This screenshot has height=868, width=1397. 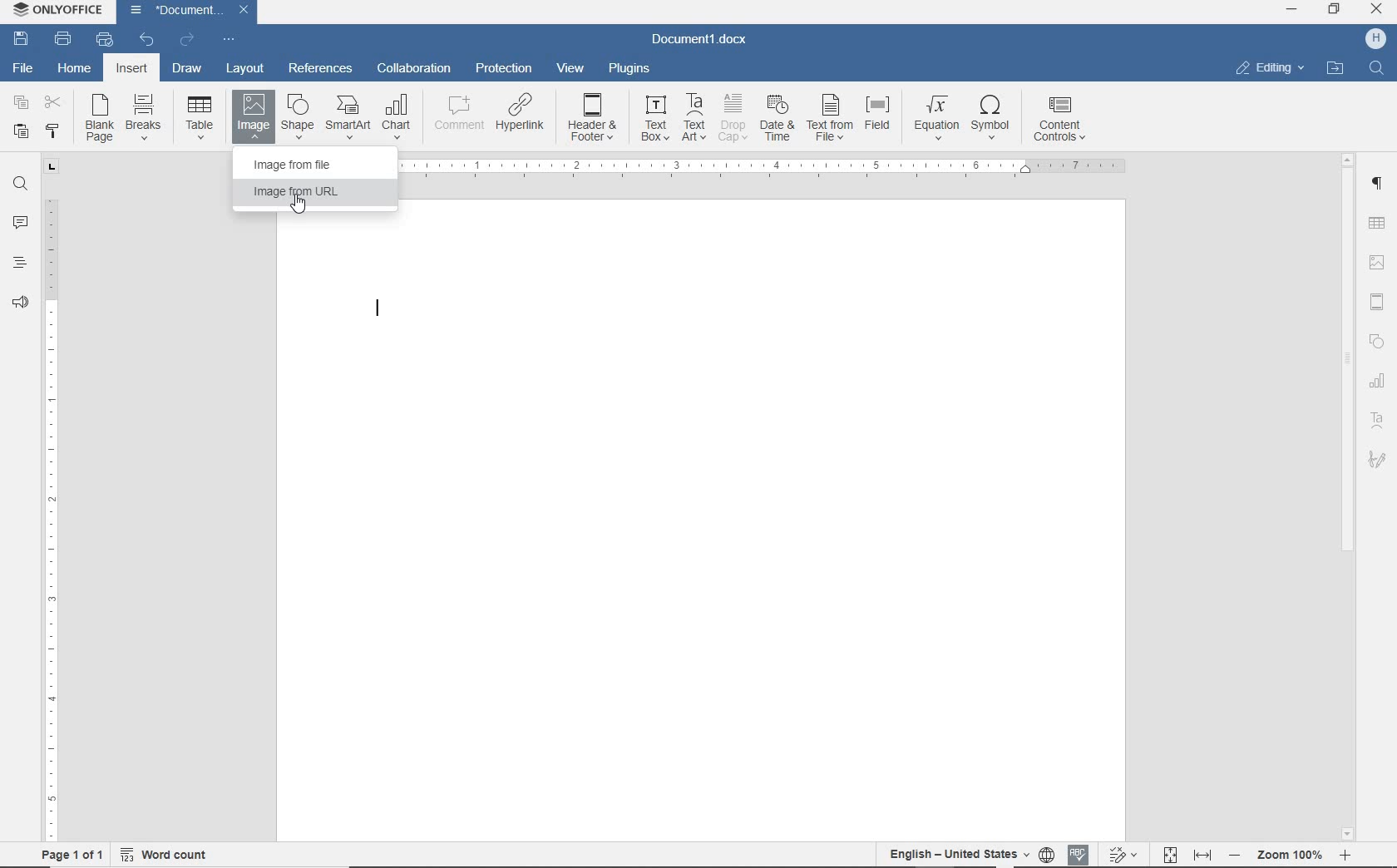 What do you see at coordinates (53, 11) in the screenshot?
I see `ONLYOFFICE (Application name)` at bounding box center [53, 11].